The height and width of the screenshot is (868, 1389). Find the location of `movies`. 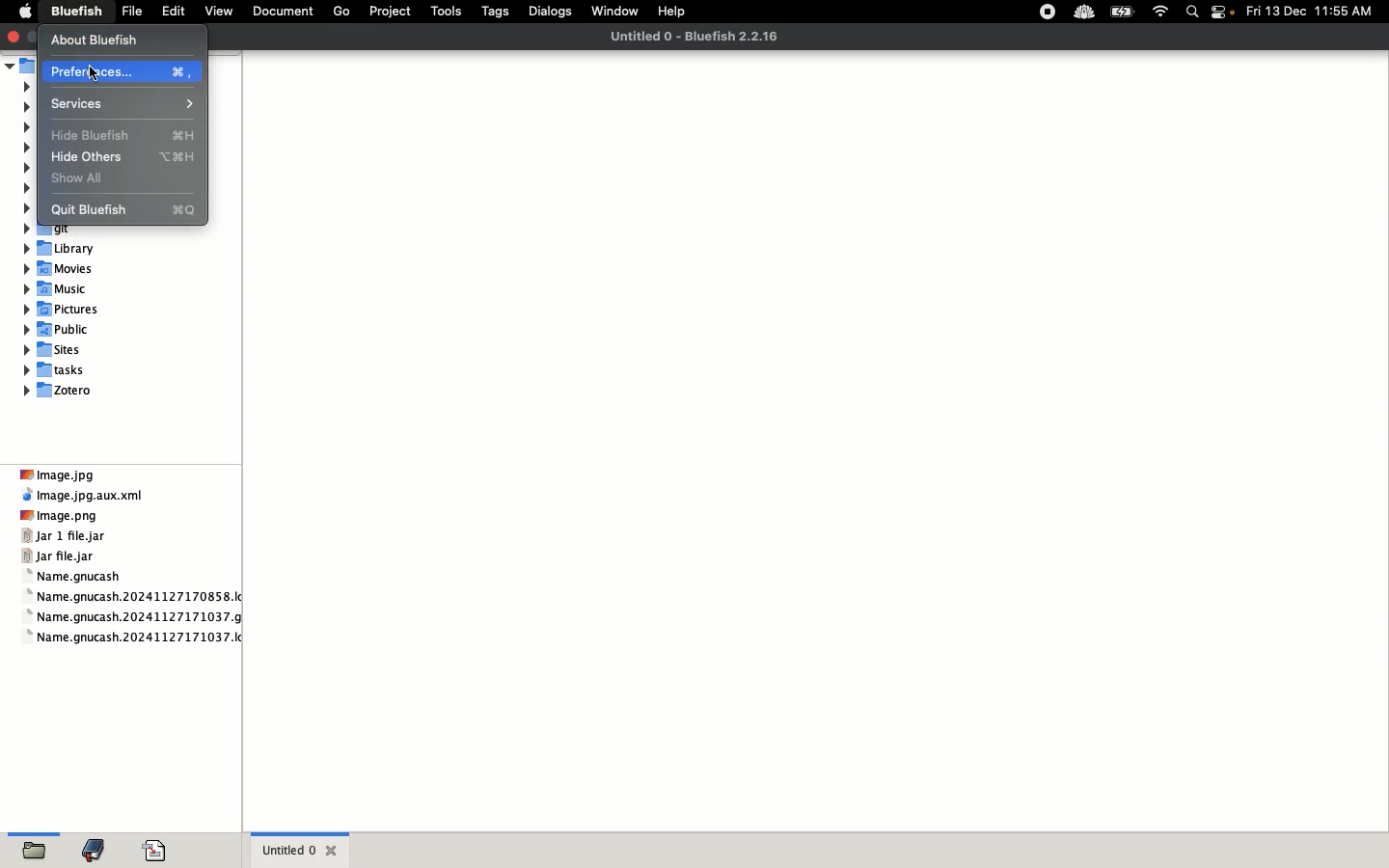

movies is located at coordinates (62, 269).